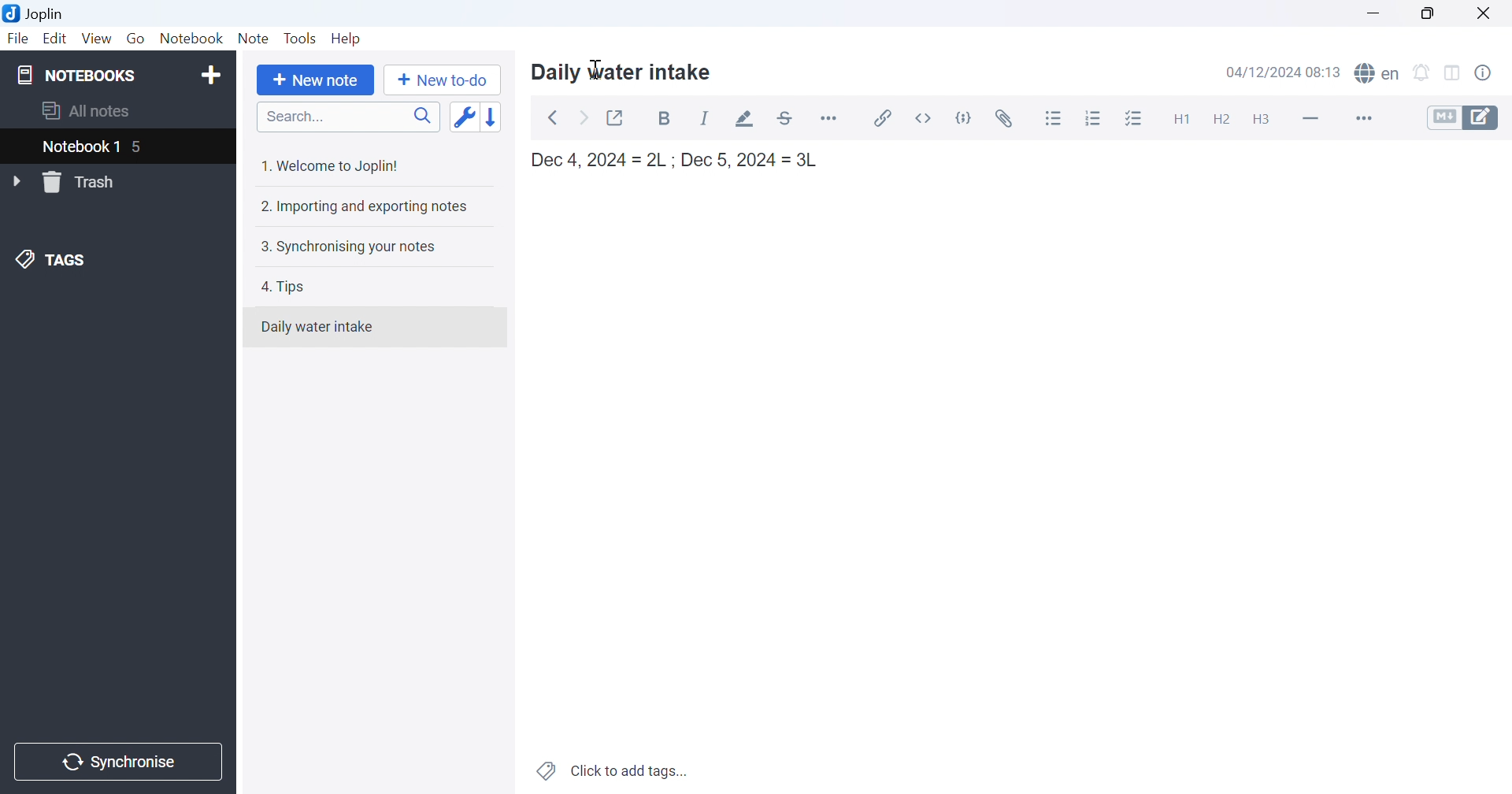 The height and width of the screenshot is (794, 1512). I want to click on Notebook 1, so click(81, 147).